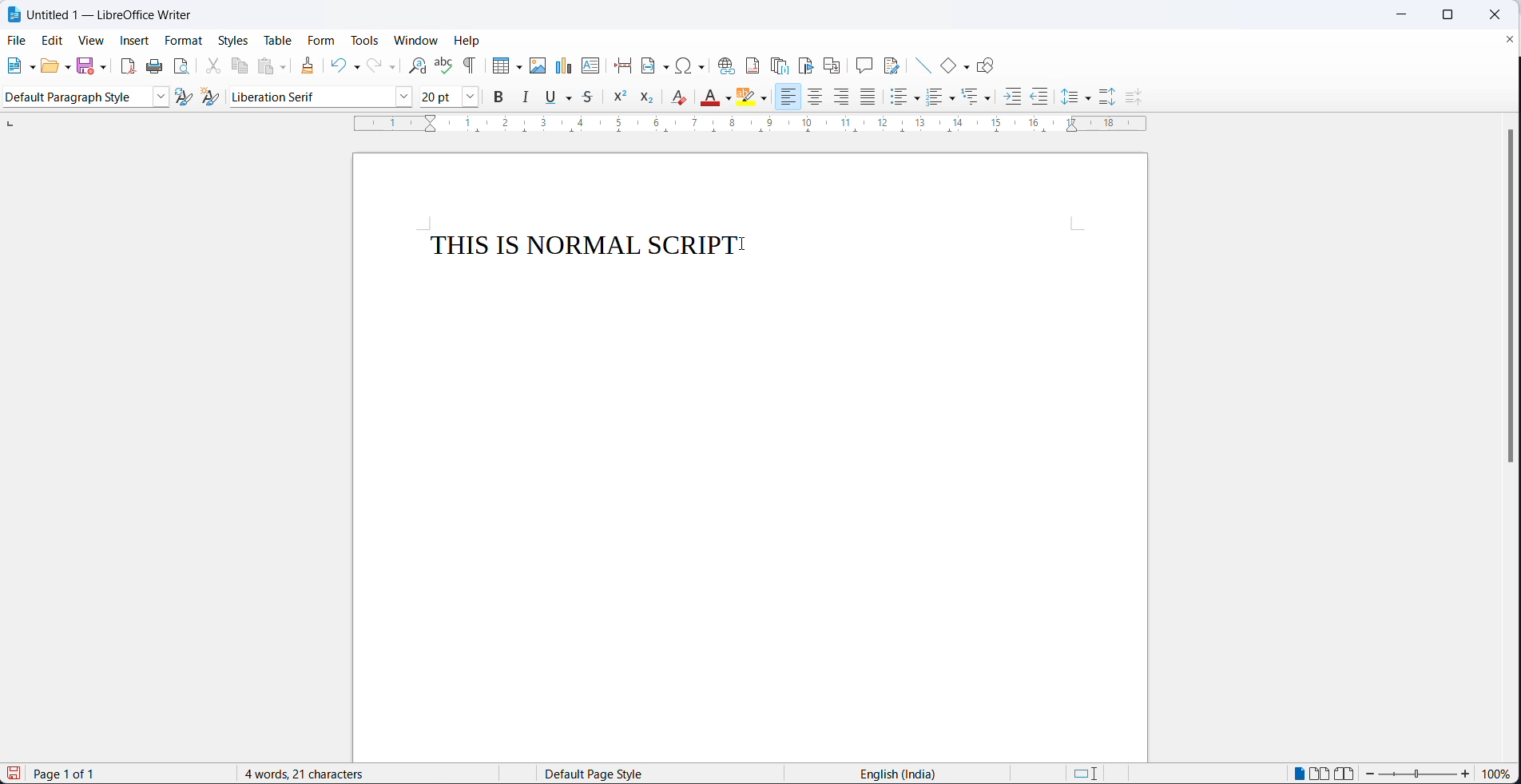 This screenshot has width=1521, height=784. Describe the element at coordinates (188, 97) in the screenshot. I see `update selected style` at that location.